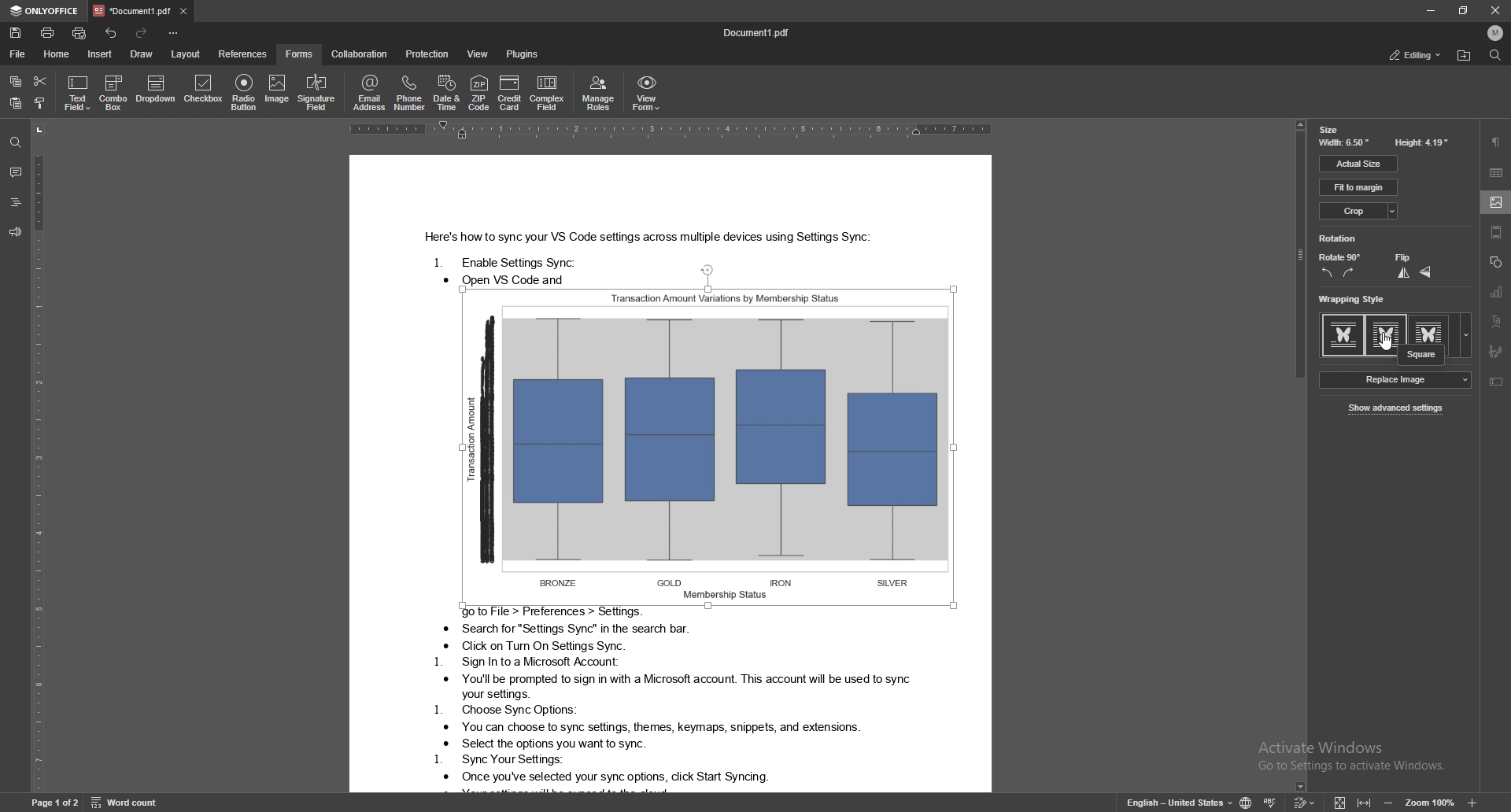  I want to click on insert, so click(100, 54).